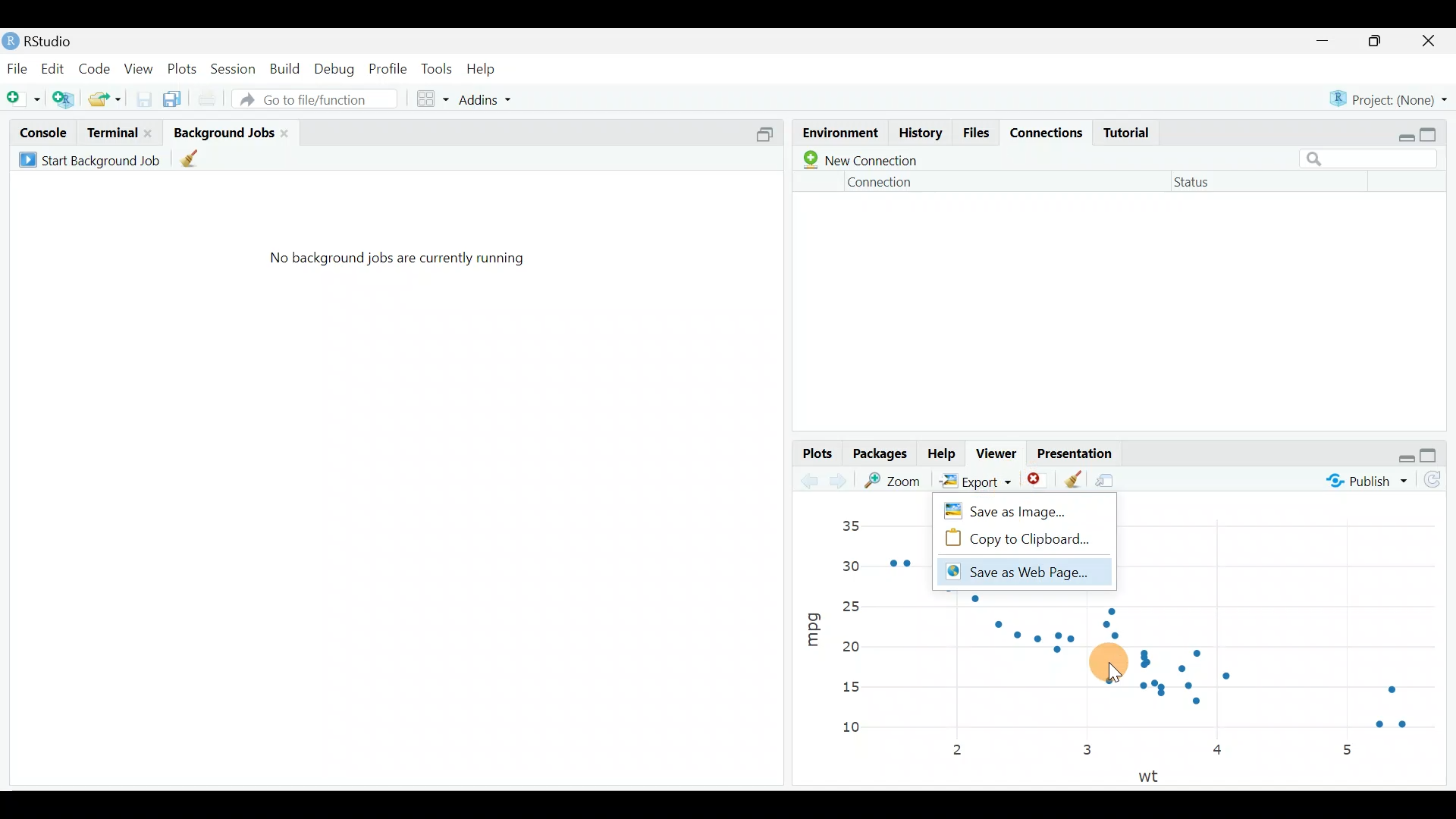 Image resolution: width=1456 pixels, height=819 pixels. What do you see at coordinates (290, 132) in the screenshot?
I see `close background job` at bounding box center [290, 132].